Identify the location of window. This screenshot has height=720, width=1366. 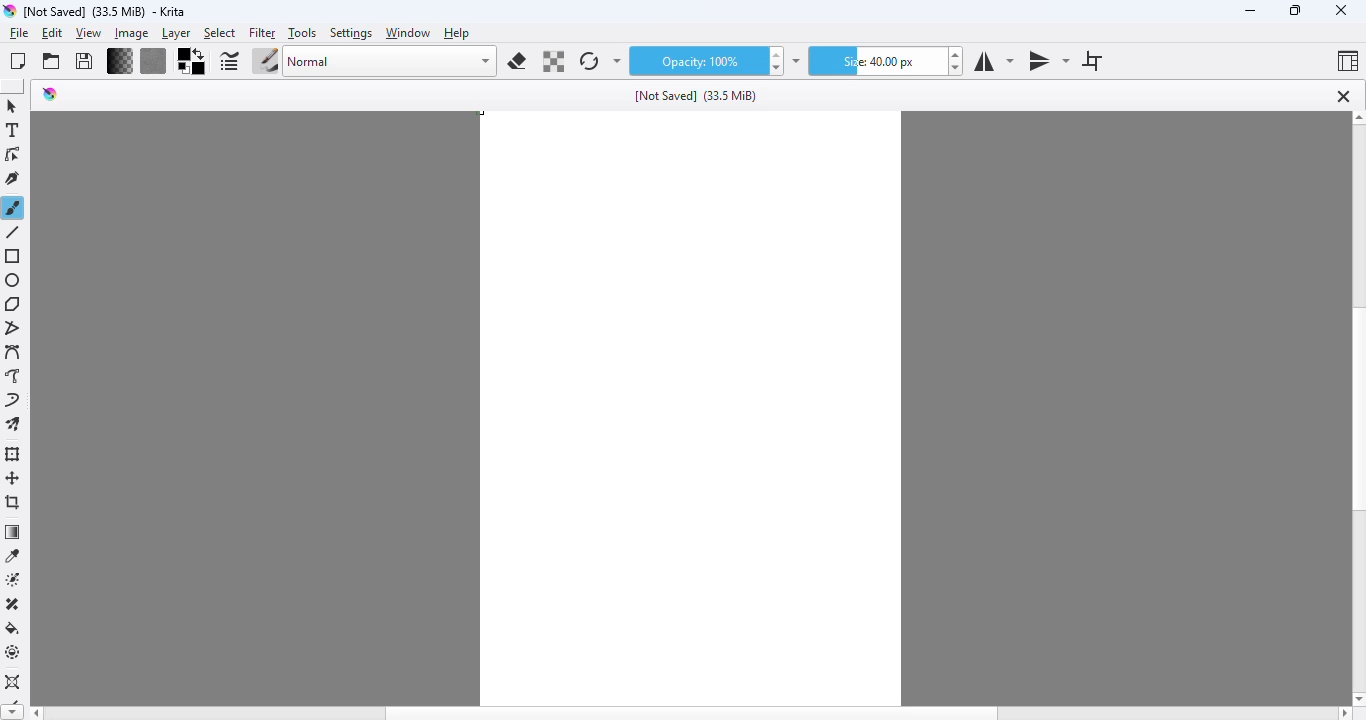
(410, 32).